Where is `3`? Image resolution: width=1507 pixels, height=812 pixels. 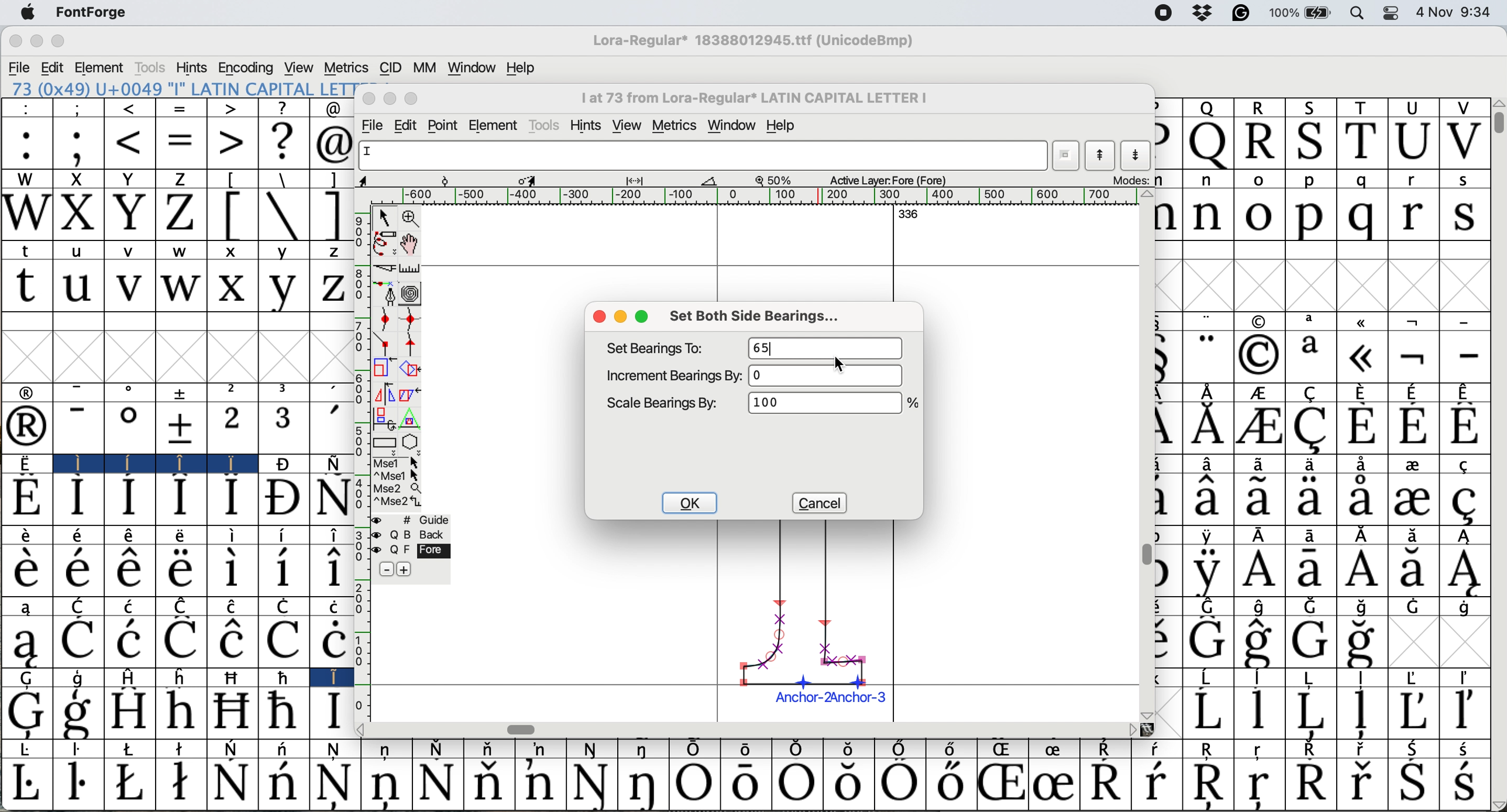 3 is located at coordinates (285, 391).